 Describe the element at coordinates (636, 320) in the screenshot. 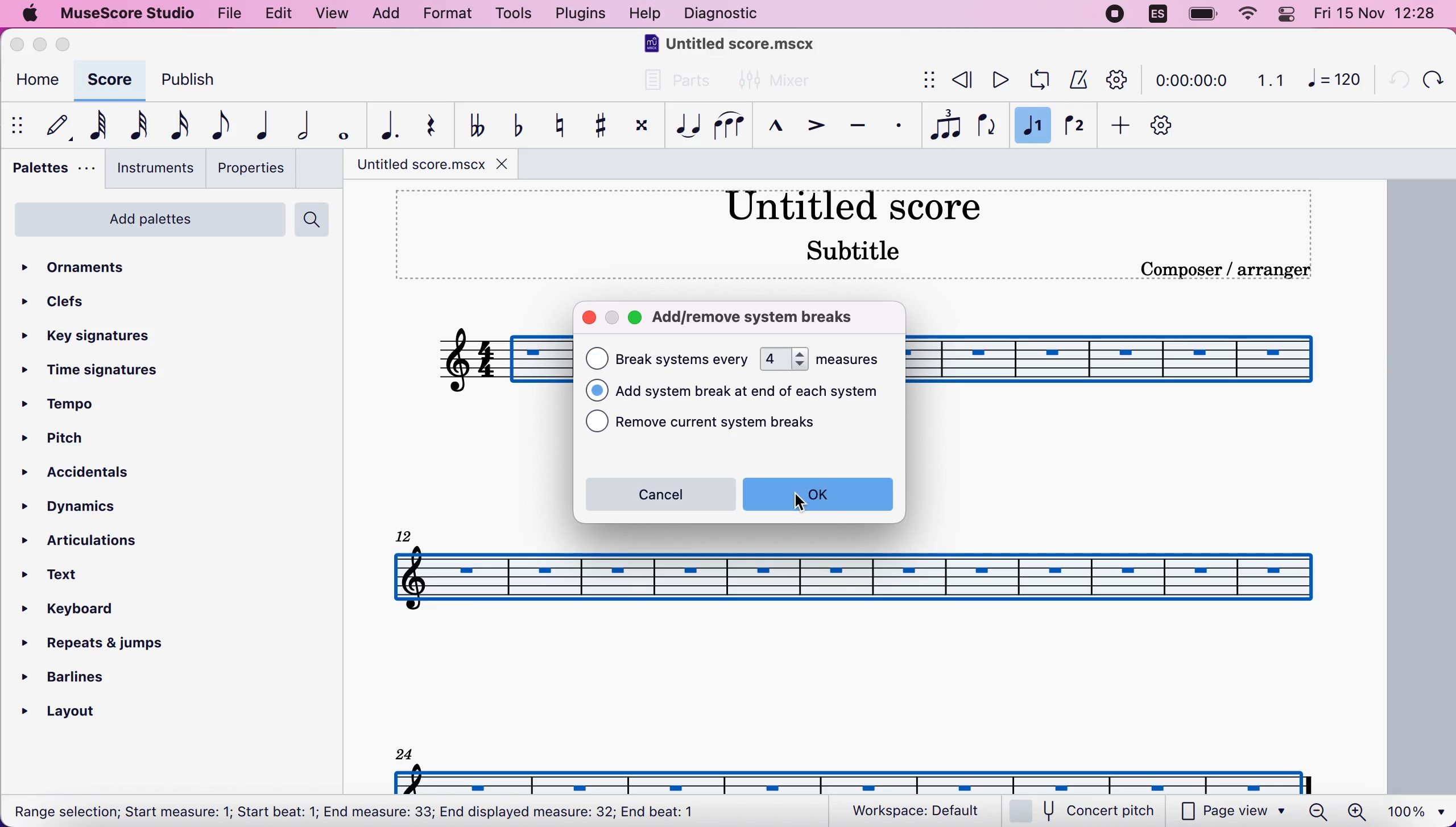

I see `maximize` at that location.